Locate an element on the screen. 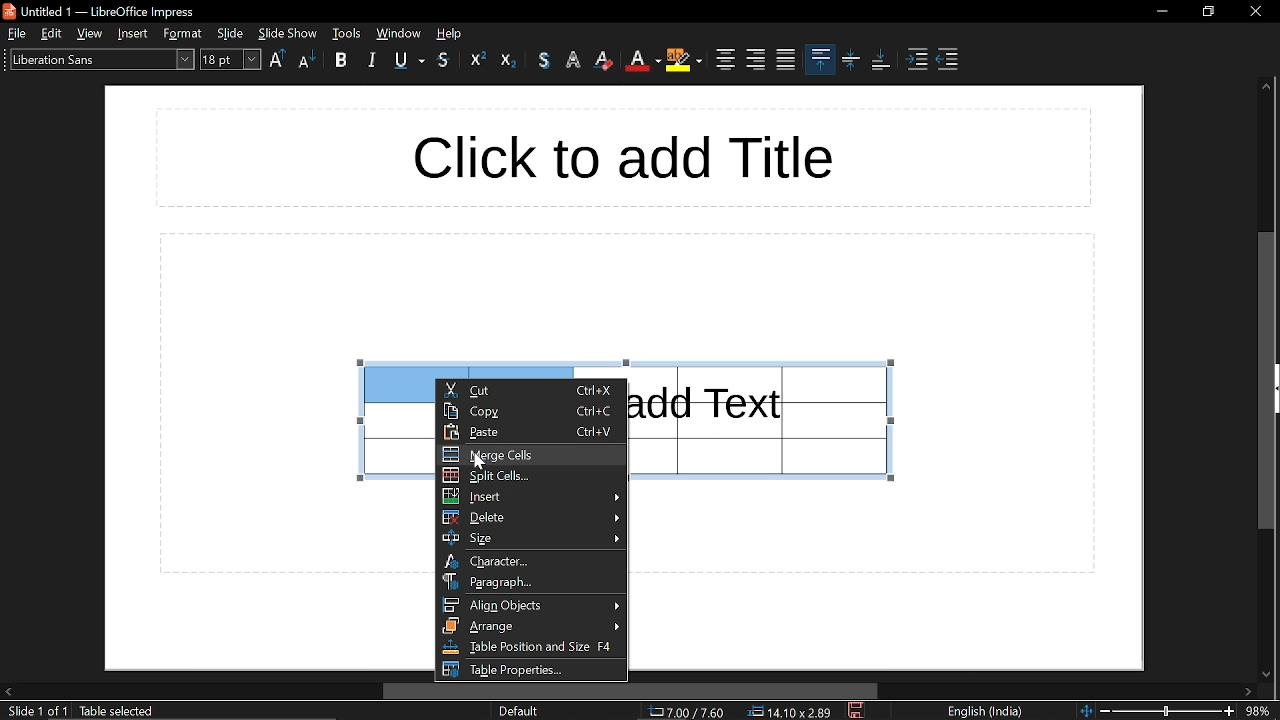 This screenshot has width=1280, height=720. zoom level is located at coordinates (1260, 710).